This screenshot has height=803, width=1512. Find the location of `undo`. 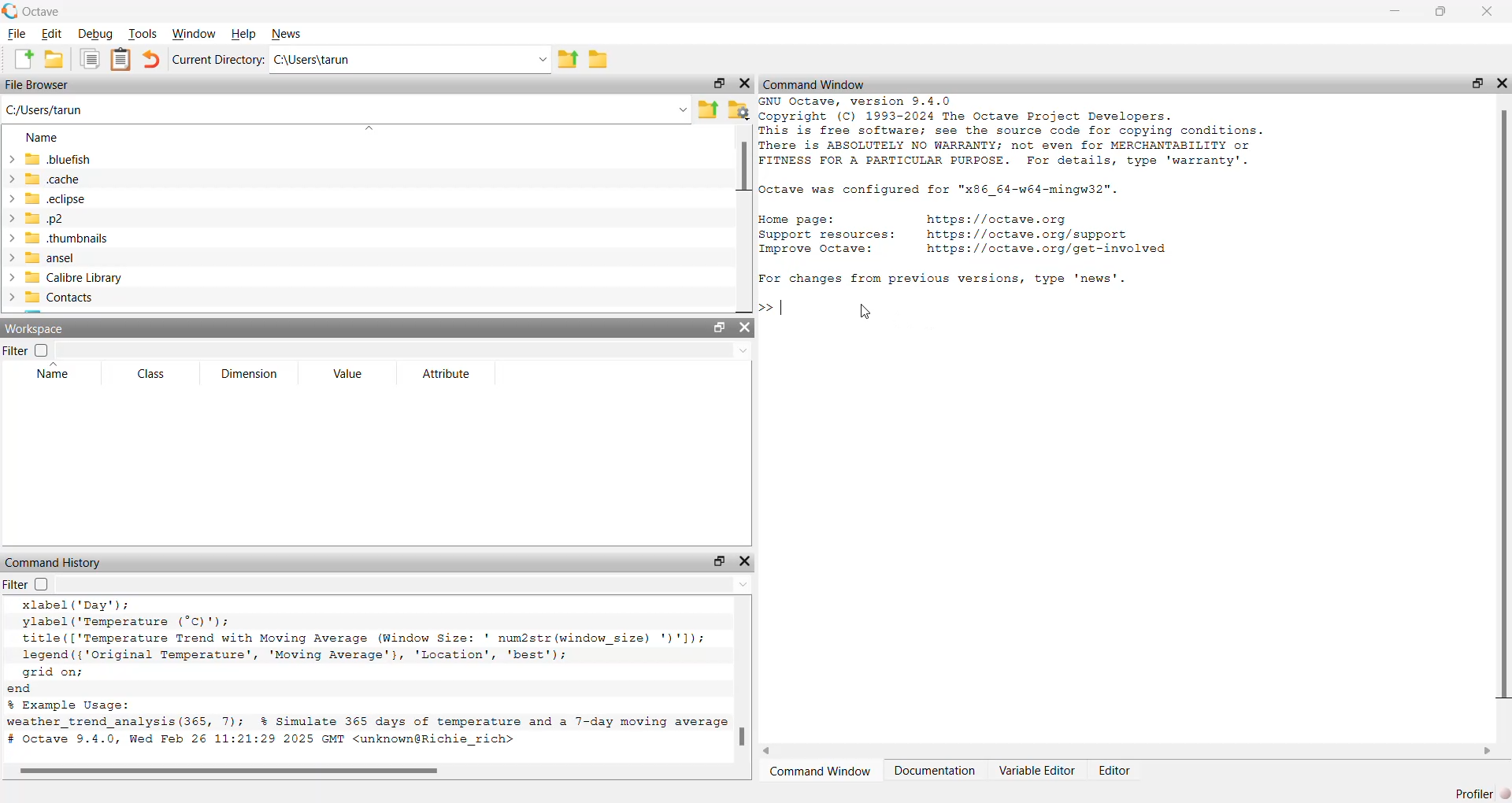

undo is located at coordinates (150, 61).